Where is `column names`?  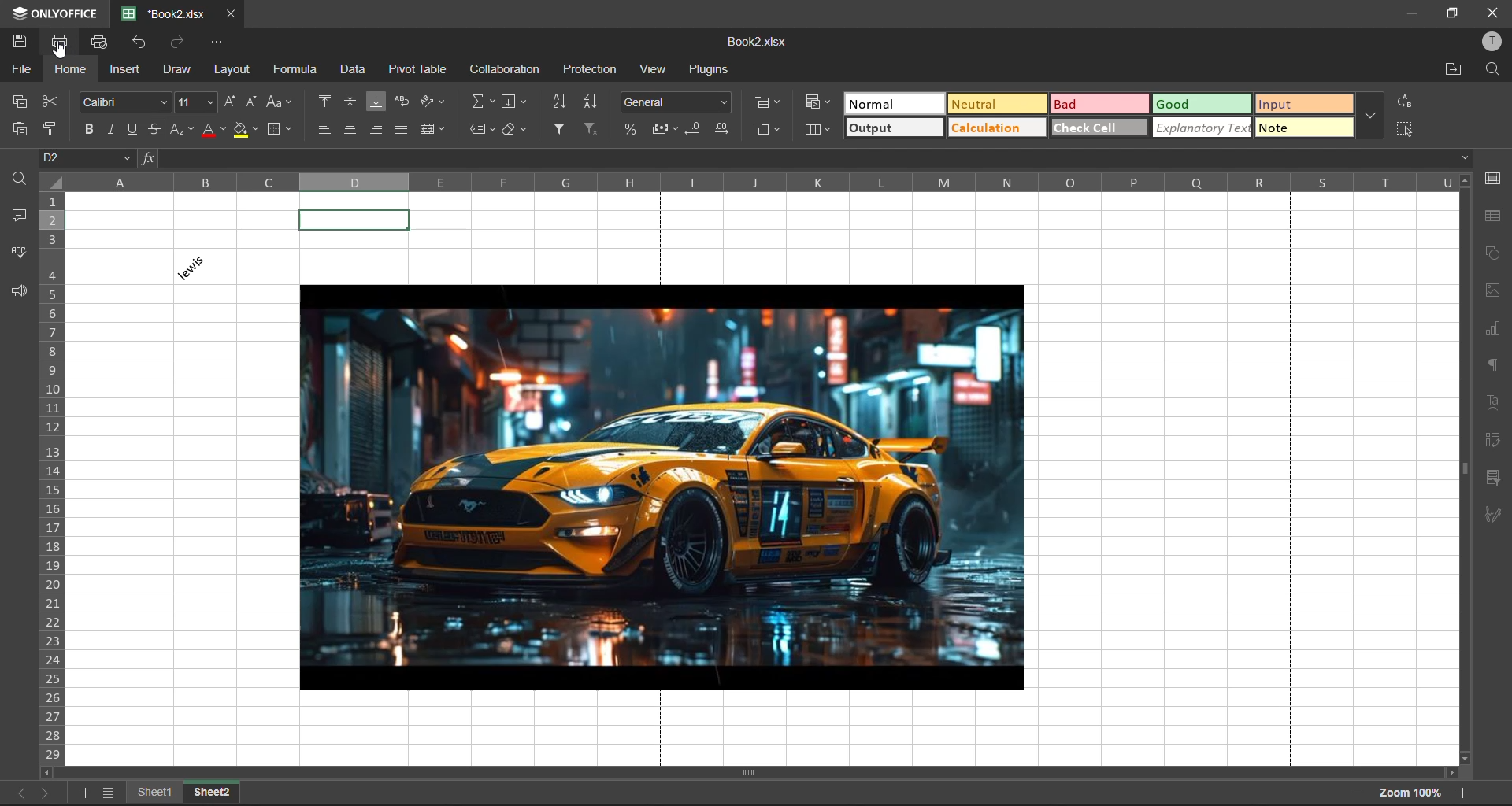
column names is located at coordinates (773, 181).